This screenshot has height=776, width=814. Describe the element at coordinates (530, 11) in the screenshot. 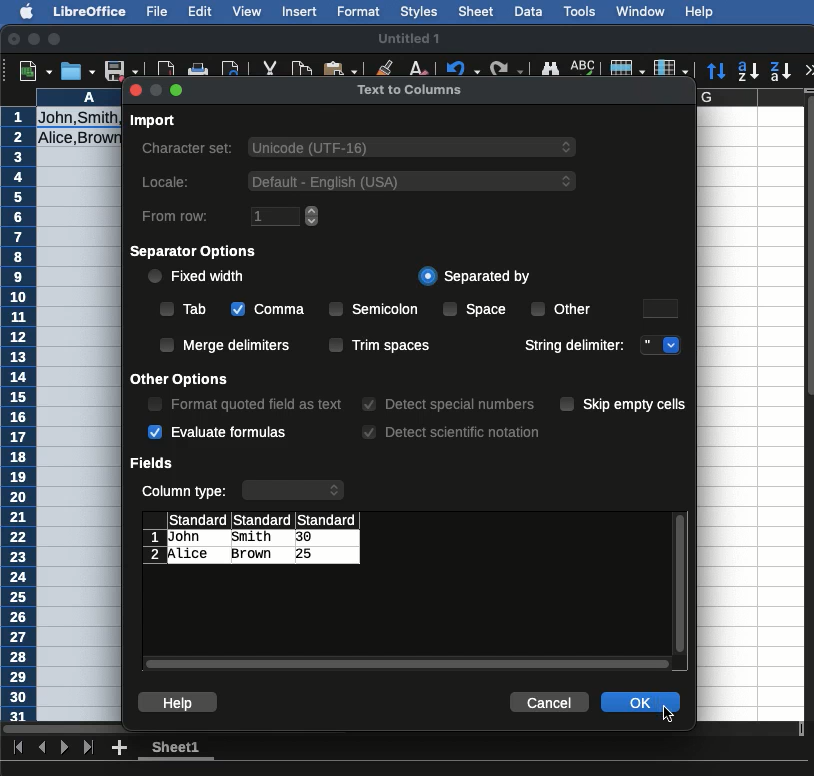

I see `Data` at that location.